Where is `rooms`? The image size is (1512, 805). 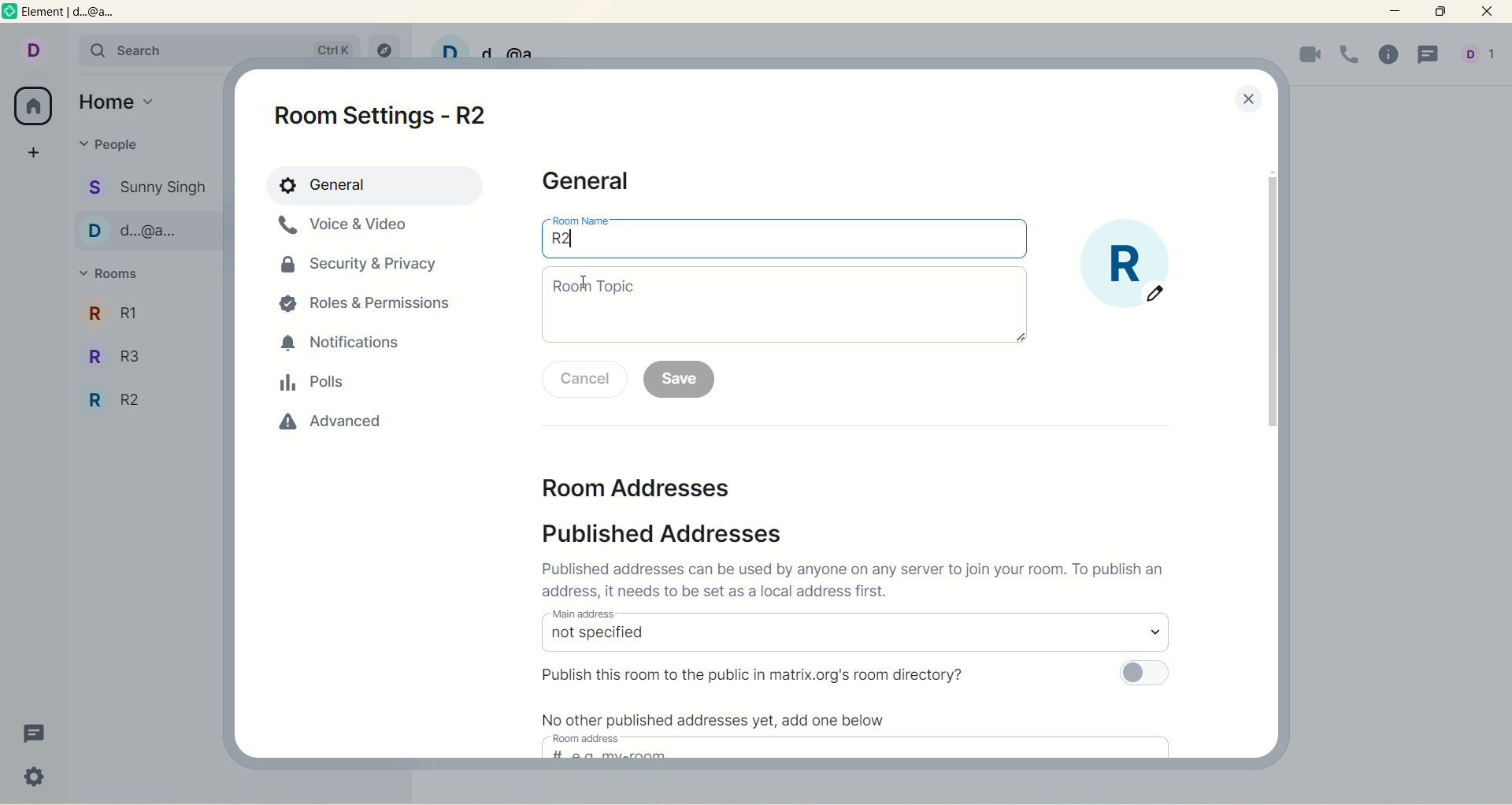 rooms is located at coordinates (115, 275).